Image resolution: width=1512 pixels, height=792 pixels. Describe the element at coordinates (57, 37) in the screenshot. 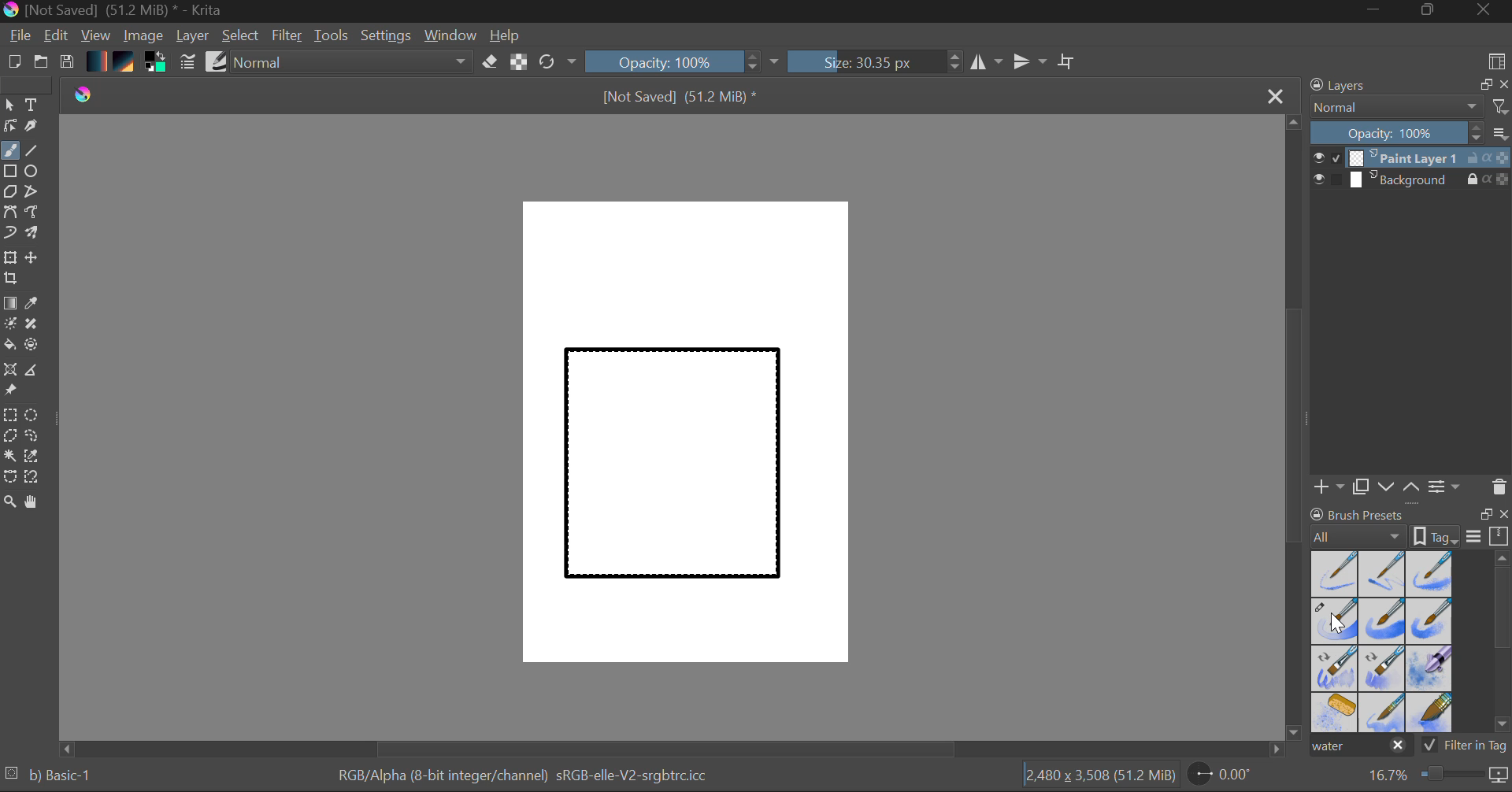

I see `Edit` at that location.